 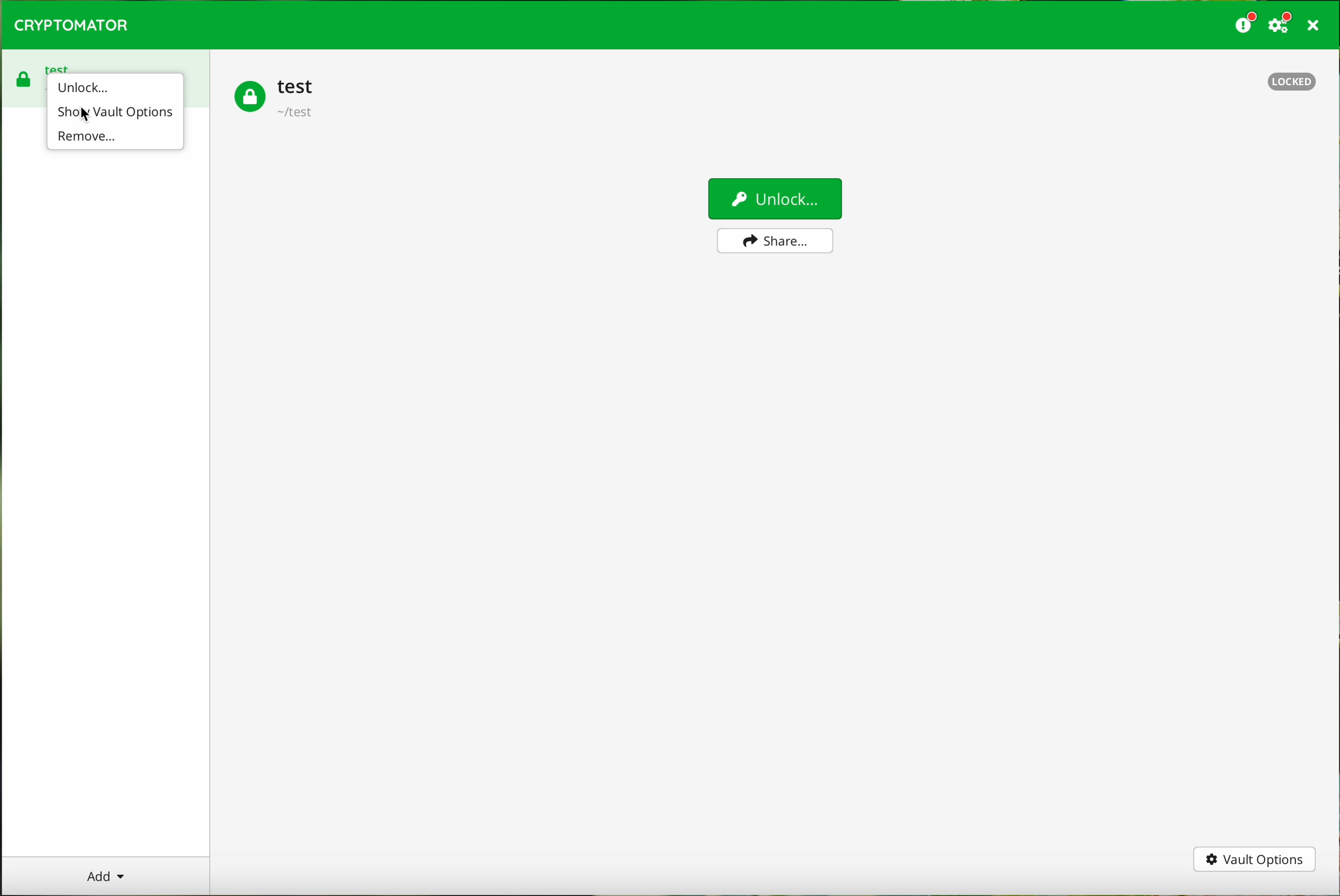 What do you see at coordinates (1317, 25) in the screenshot?
I see `close program` at bounding box center [1317, 25].